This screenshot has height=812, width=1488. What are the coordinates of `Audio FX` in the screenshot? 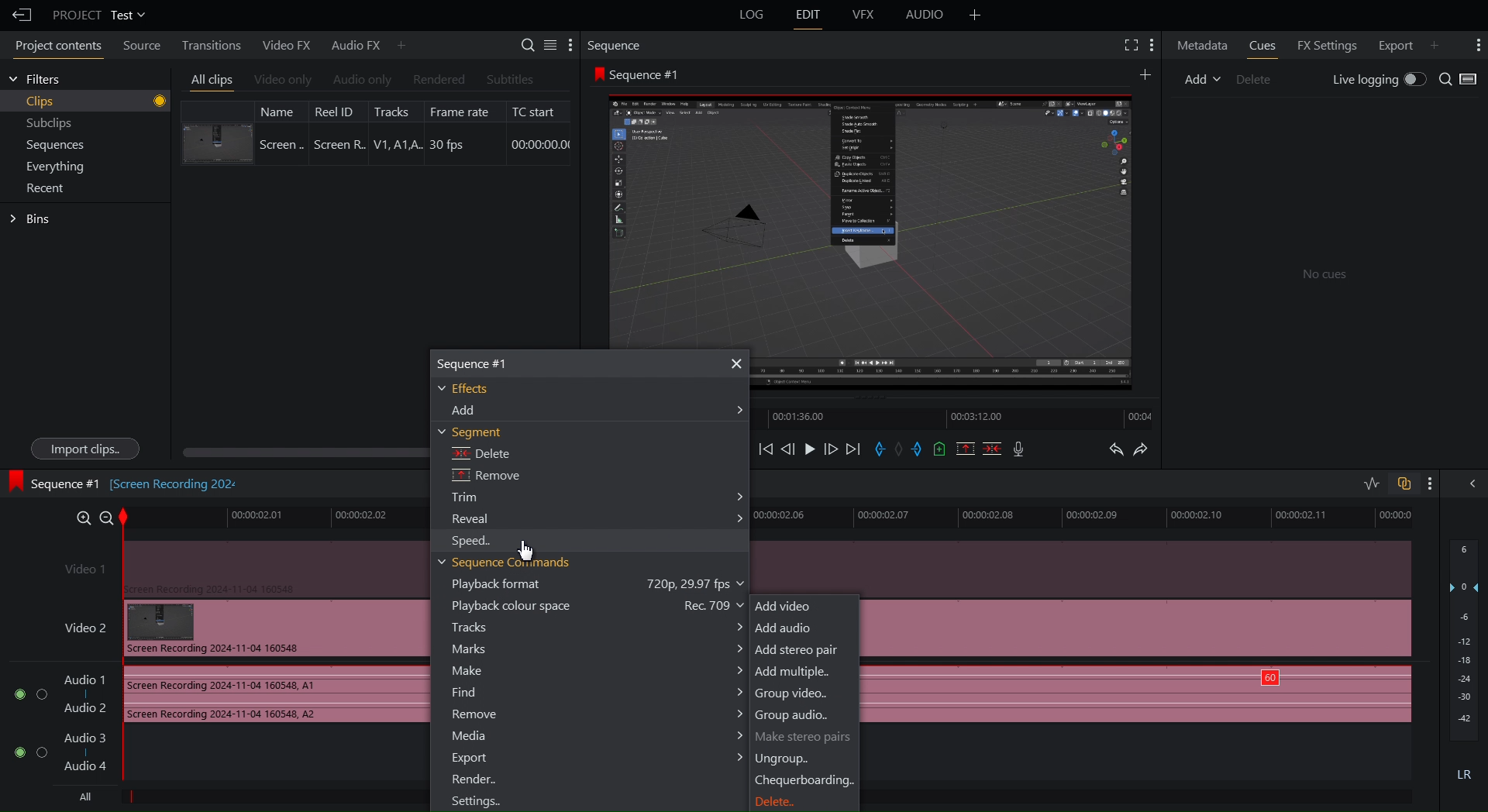 It's located at (350, 45).